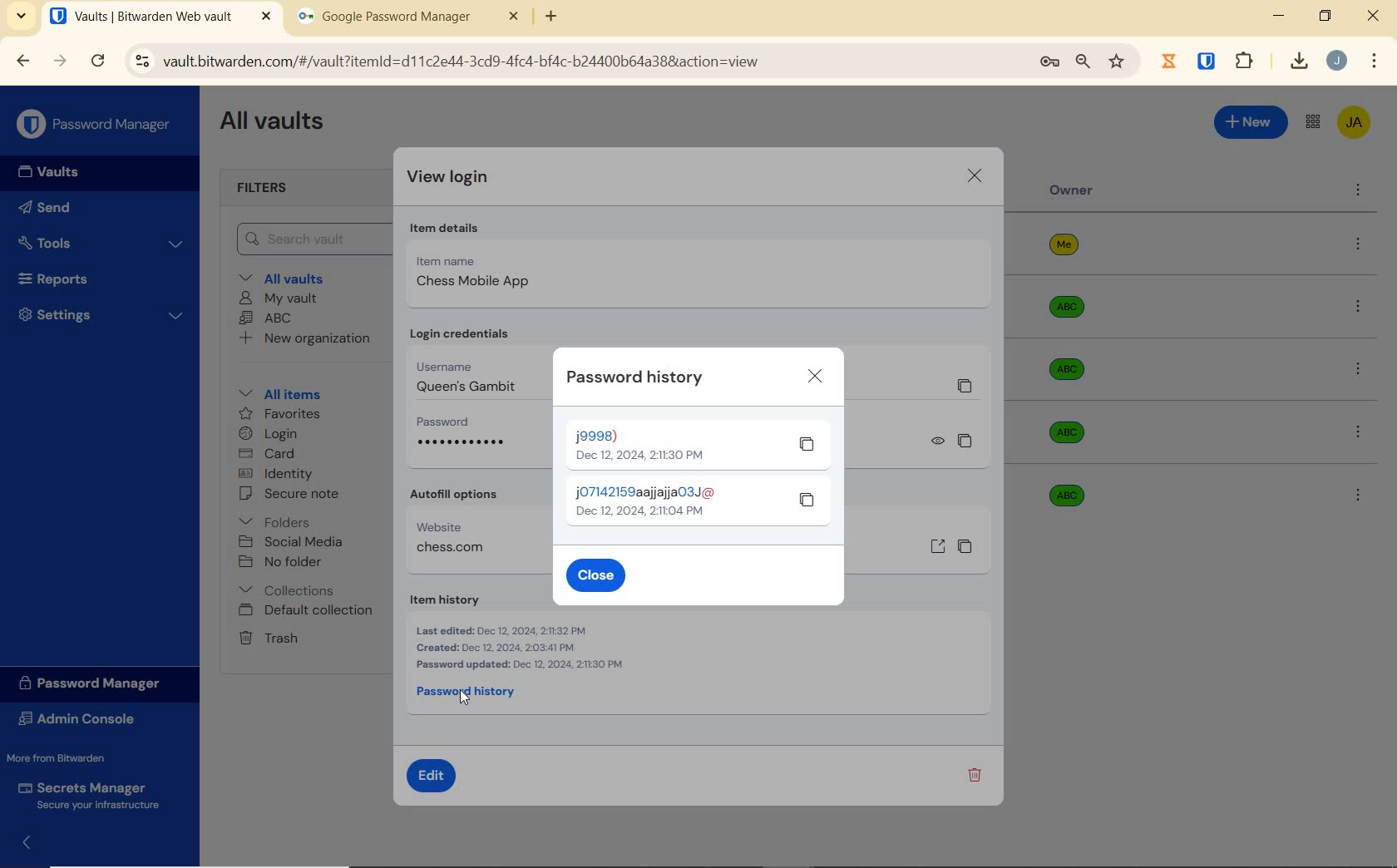  What do you see at coordinates (55, 207) in the screenshot?
I see `Send` at bounding box center [55, 207].